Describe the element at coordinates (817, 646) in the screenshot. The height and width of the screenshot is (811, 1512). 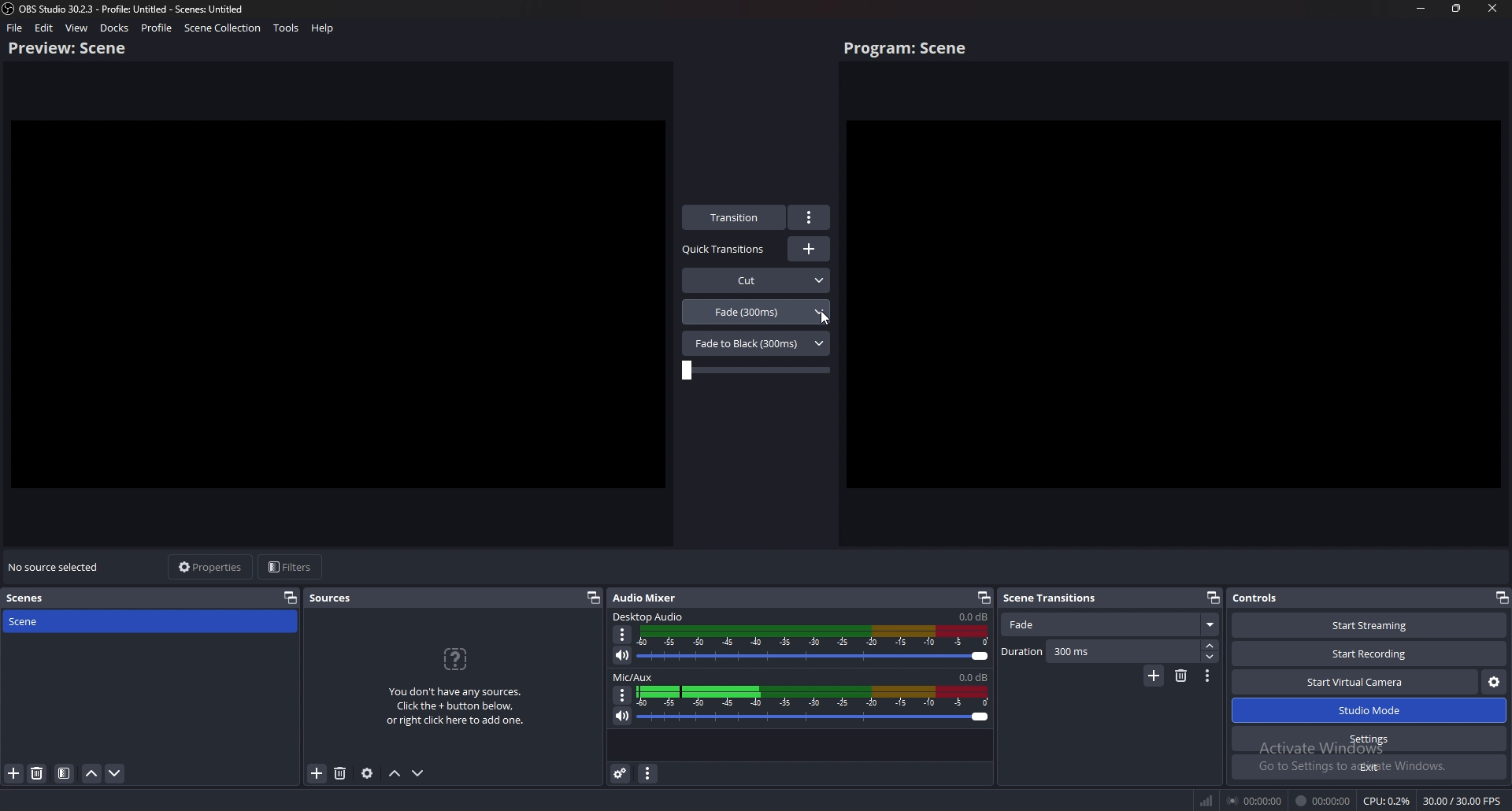
I see `Desktop audio sound bar` at that location.